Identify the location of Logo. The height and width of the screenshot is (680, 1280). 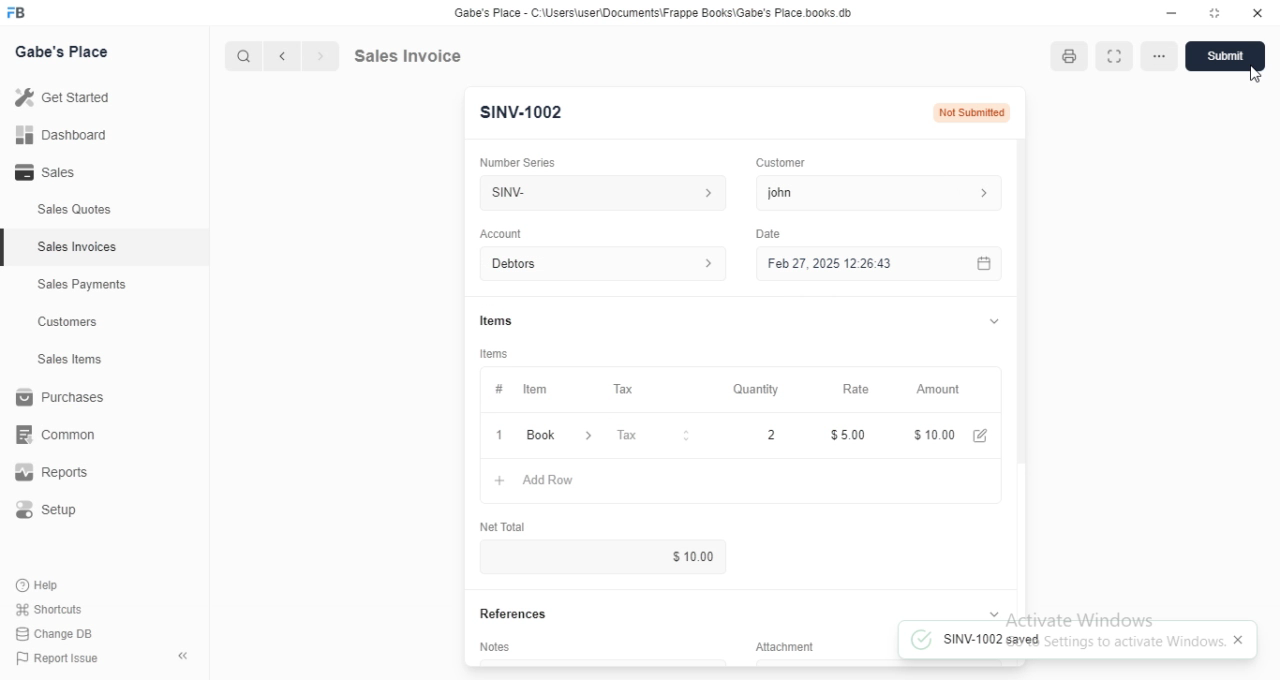
(24, 13).